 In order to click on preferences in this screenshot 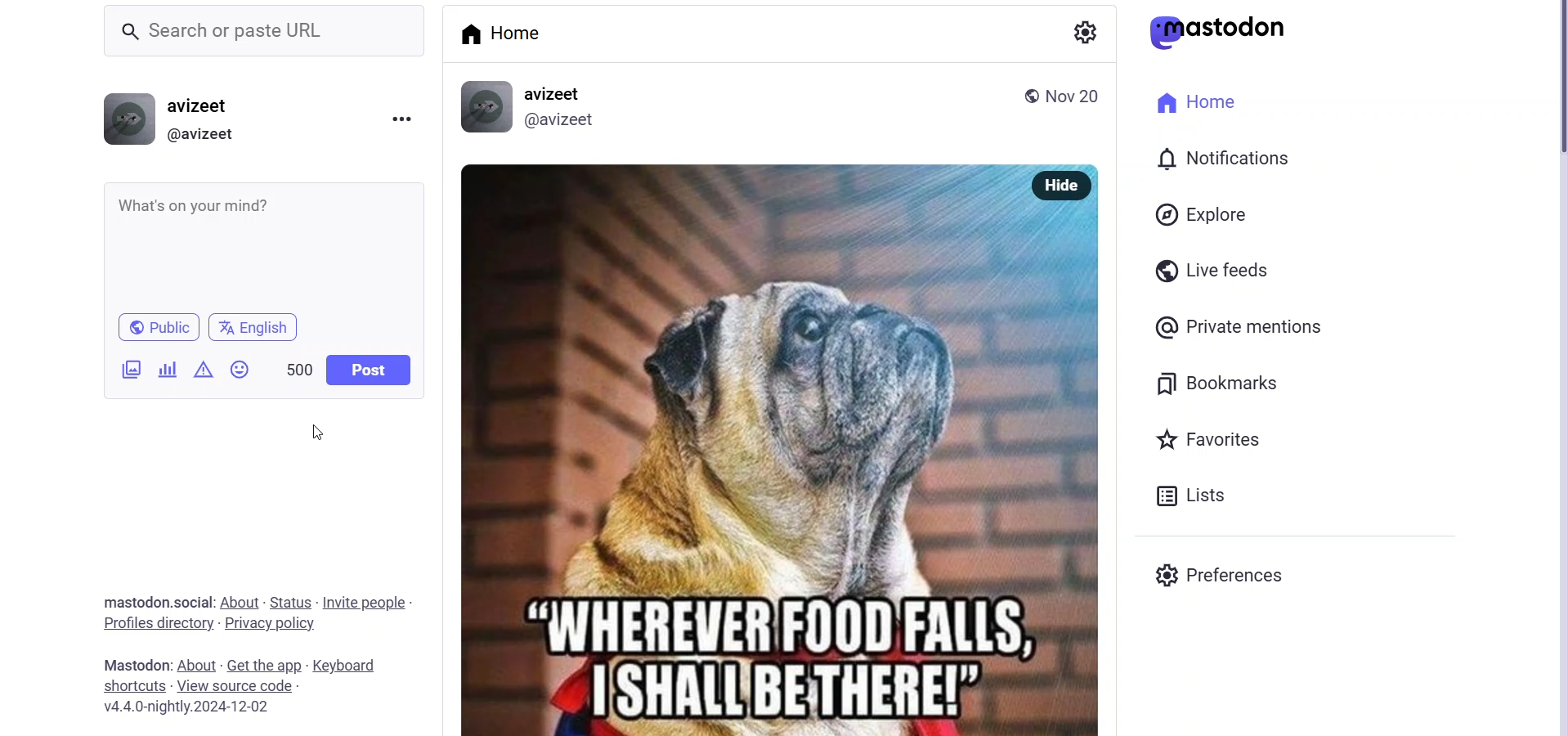, I will do `click(1221, 574)`.